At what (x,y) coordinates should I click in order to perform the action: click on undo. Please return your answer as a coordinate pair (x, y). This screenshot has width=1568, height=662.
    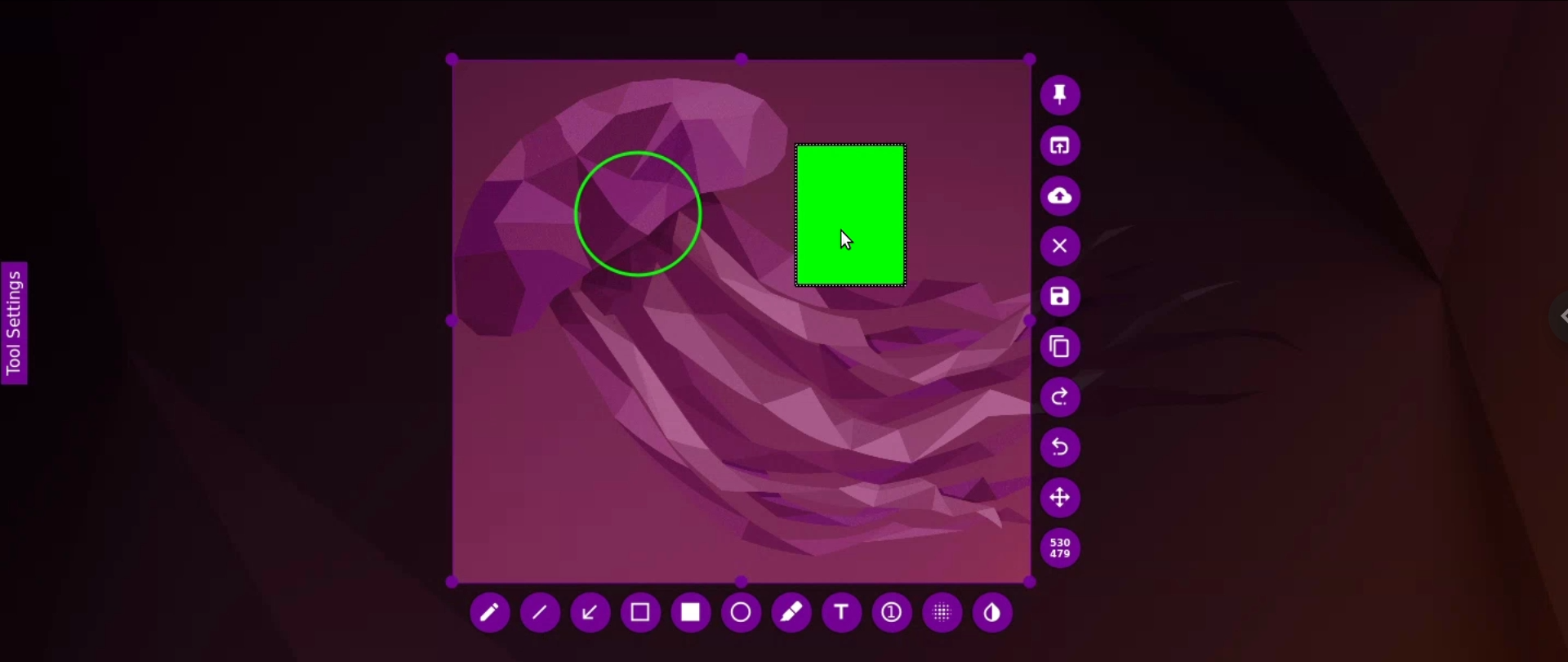
    Looking at the image, I should click on (1060, 396).